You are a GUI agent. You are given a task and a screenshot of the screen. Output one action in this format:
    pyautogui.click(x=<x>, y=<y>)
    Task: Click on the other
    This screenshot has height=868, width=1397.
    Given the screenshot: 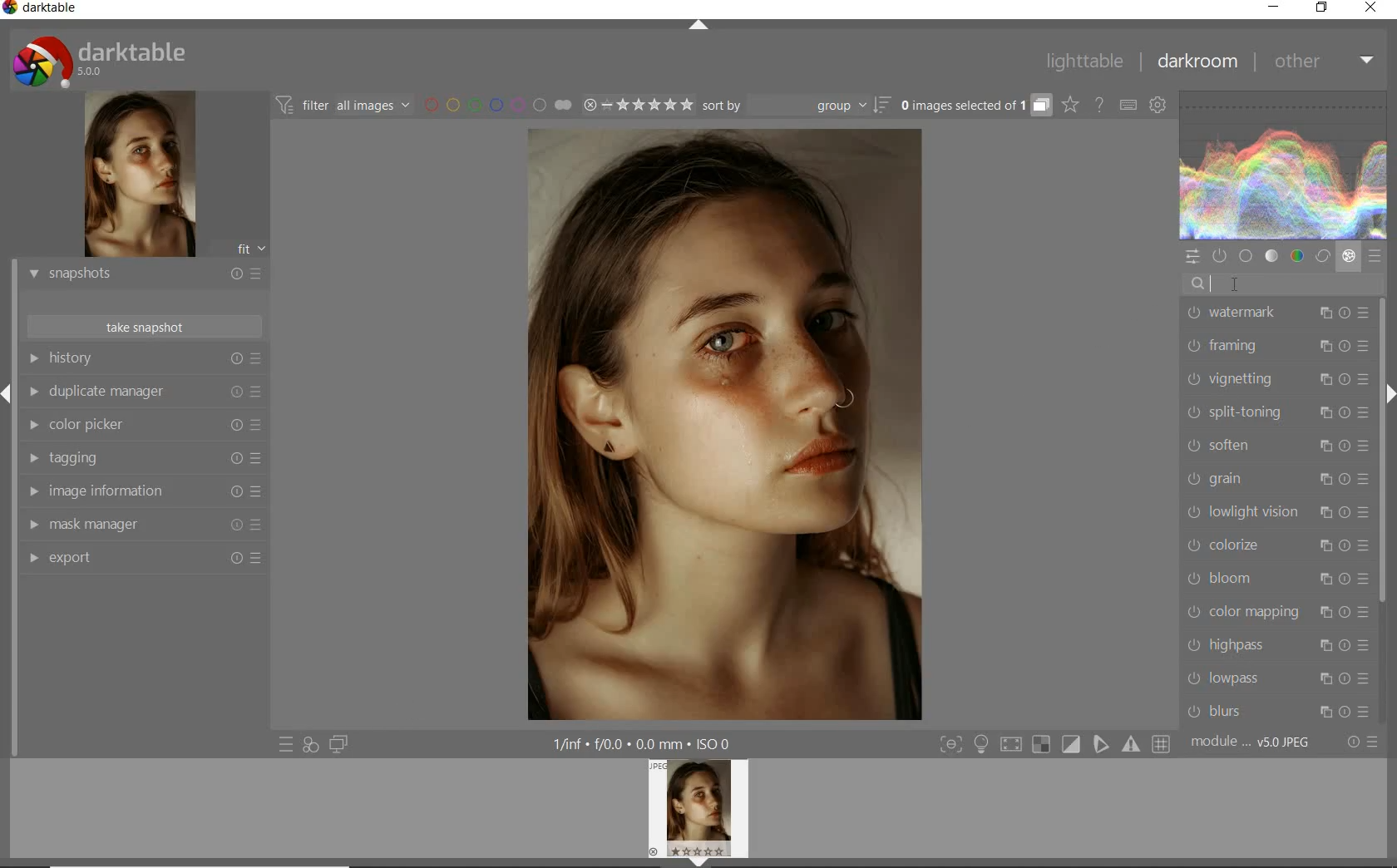 What is the action you would take?
    pyautogui.click(x=1321, y=60)
    